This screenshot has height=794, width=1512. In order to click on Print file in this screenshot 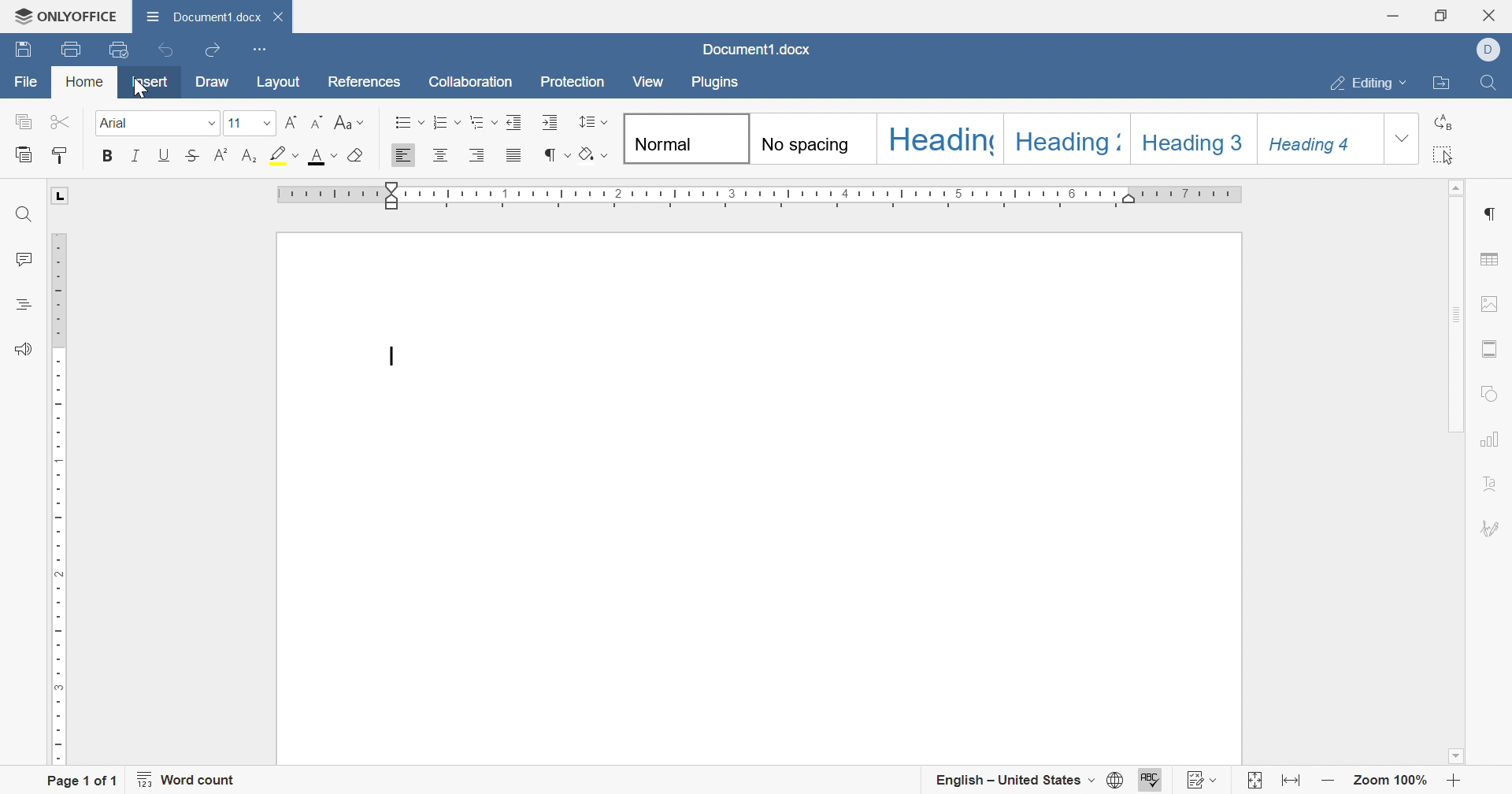, I will do `click(69, 48)`.